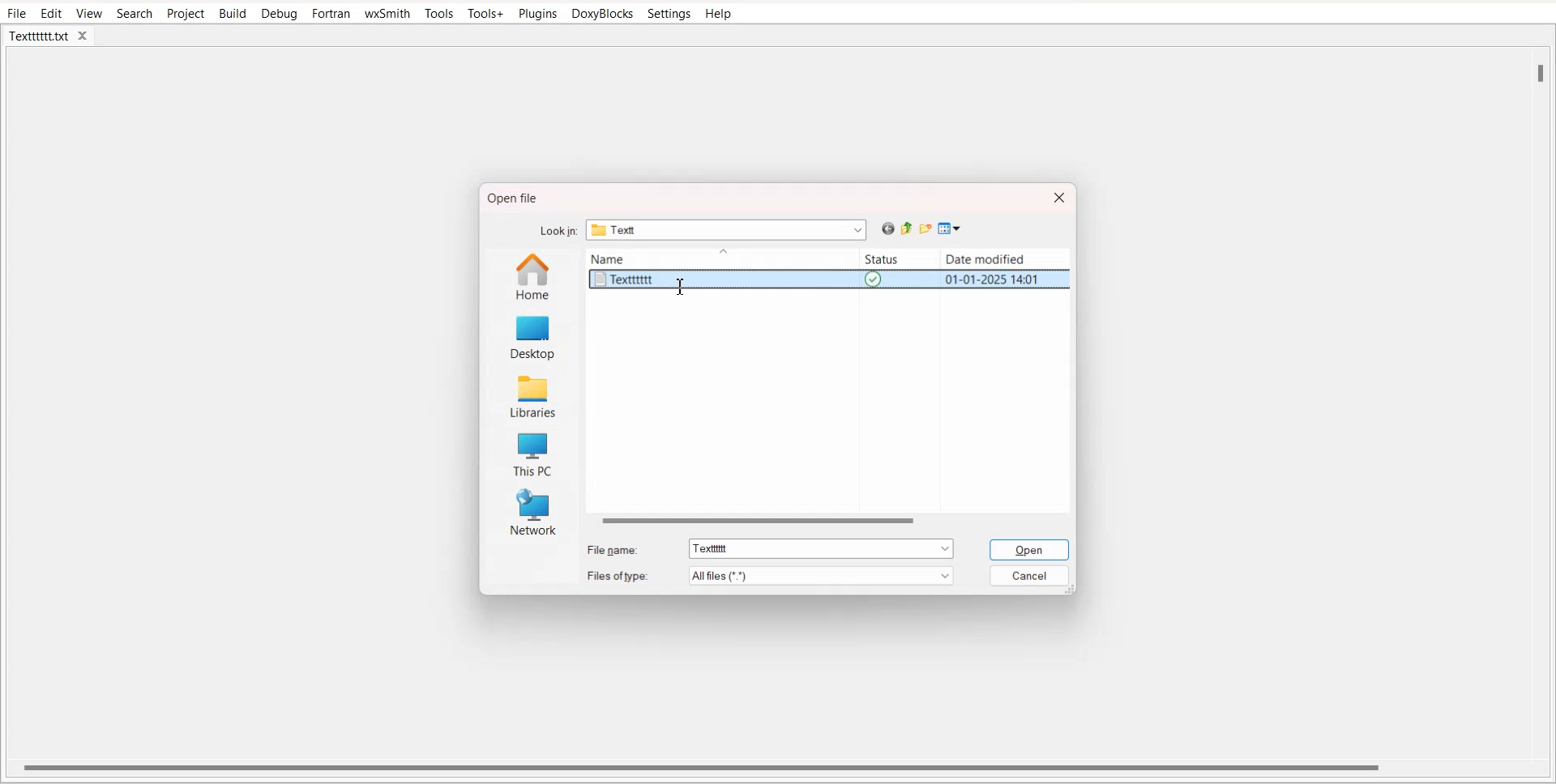  Describe the element at coordinates (601, 13) in the screenshot. I see `DoxyBlocks` at that location.